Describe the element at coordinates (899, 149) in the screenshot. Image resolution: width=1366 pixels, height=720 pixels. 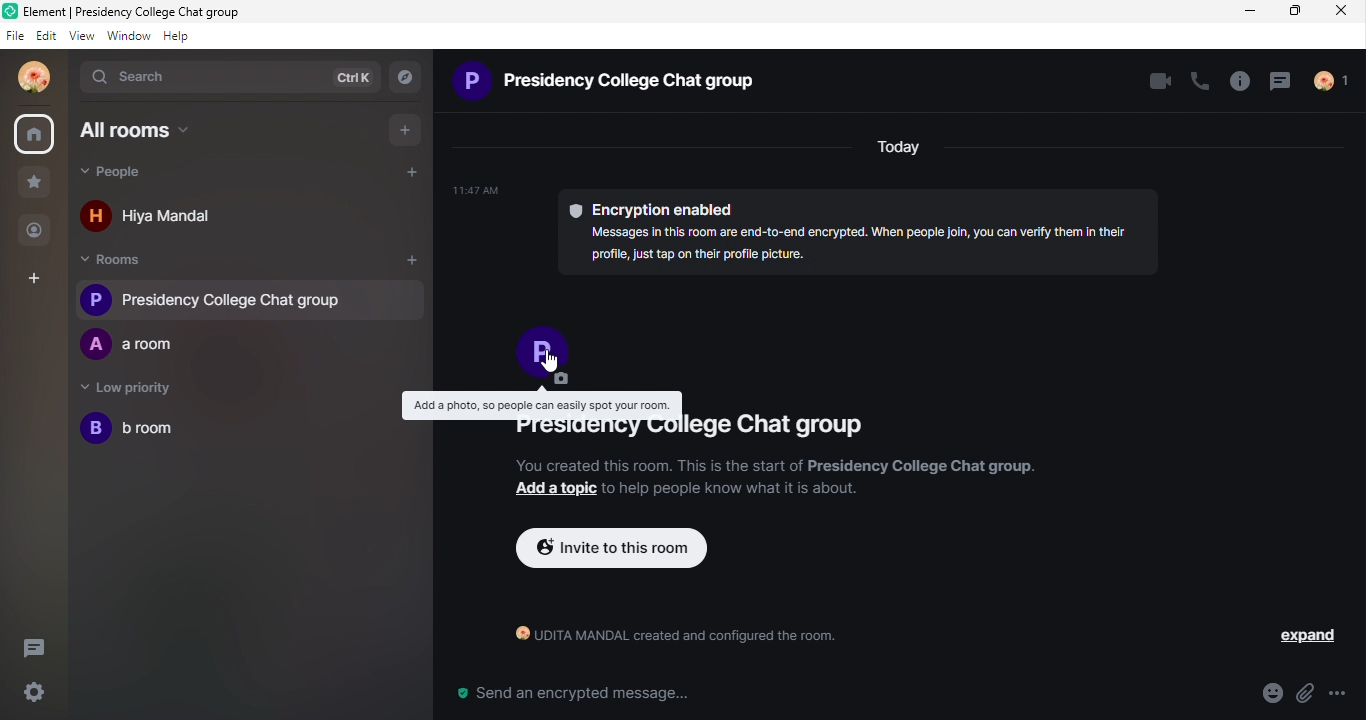
I see `today` at that location.